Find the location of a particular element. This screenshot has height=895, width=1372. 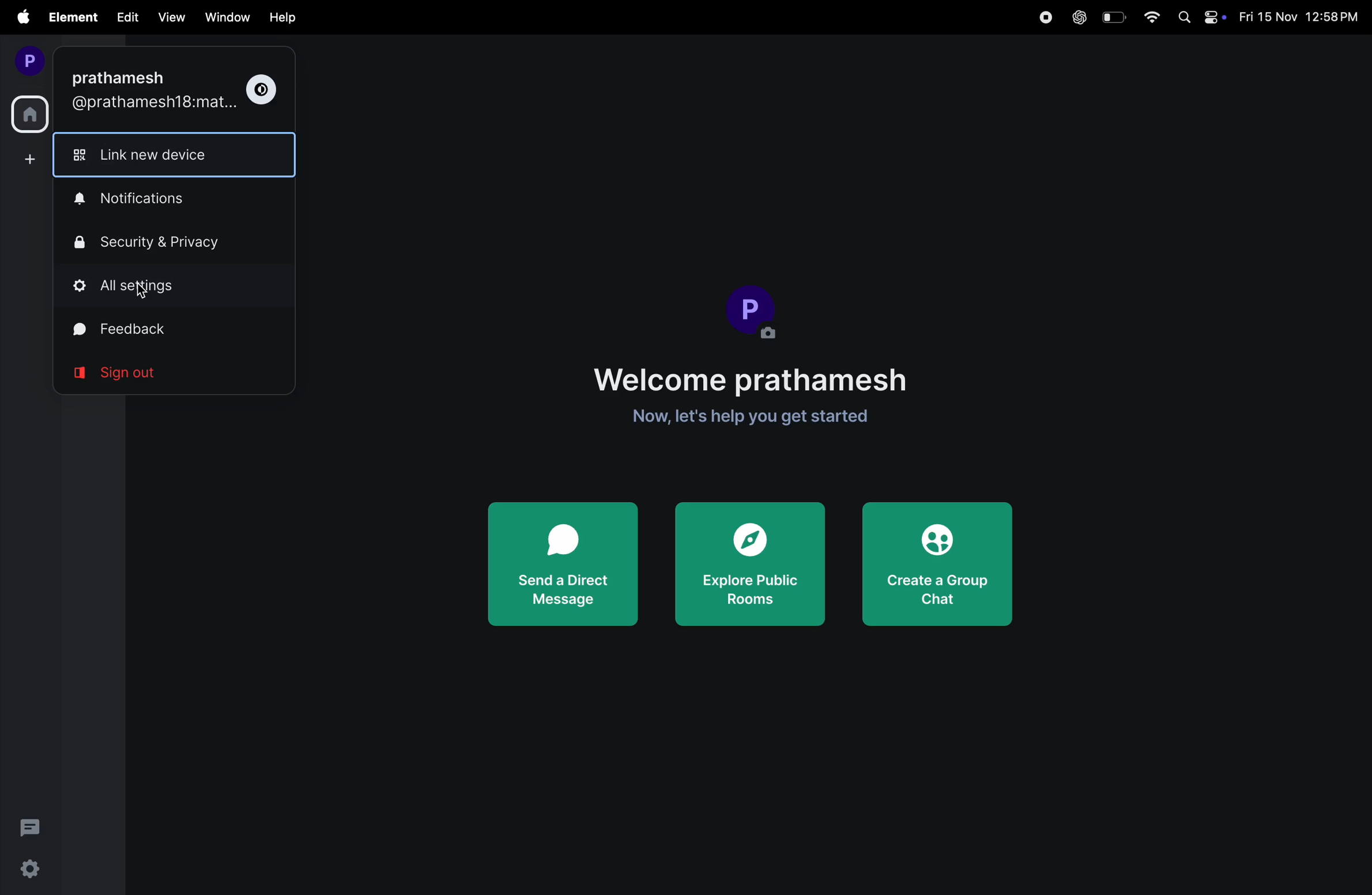

security and privacy is located at coordinates (176, 243).